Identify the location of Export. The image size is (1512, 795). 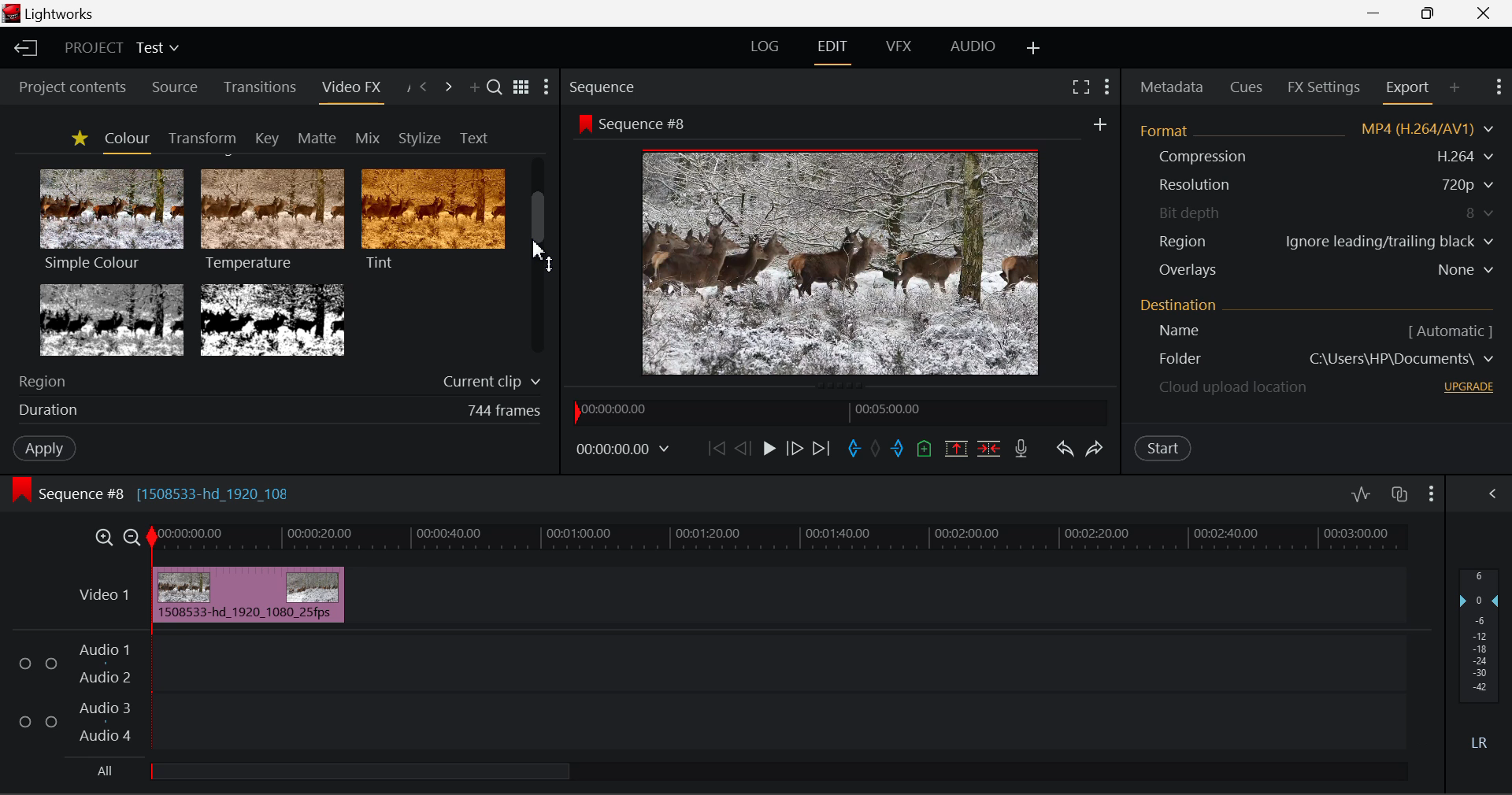
(1409, 92).